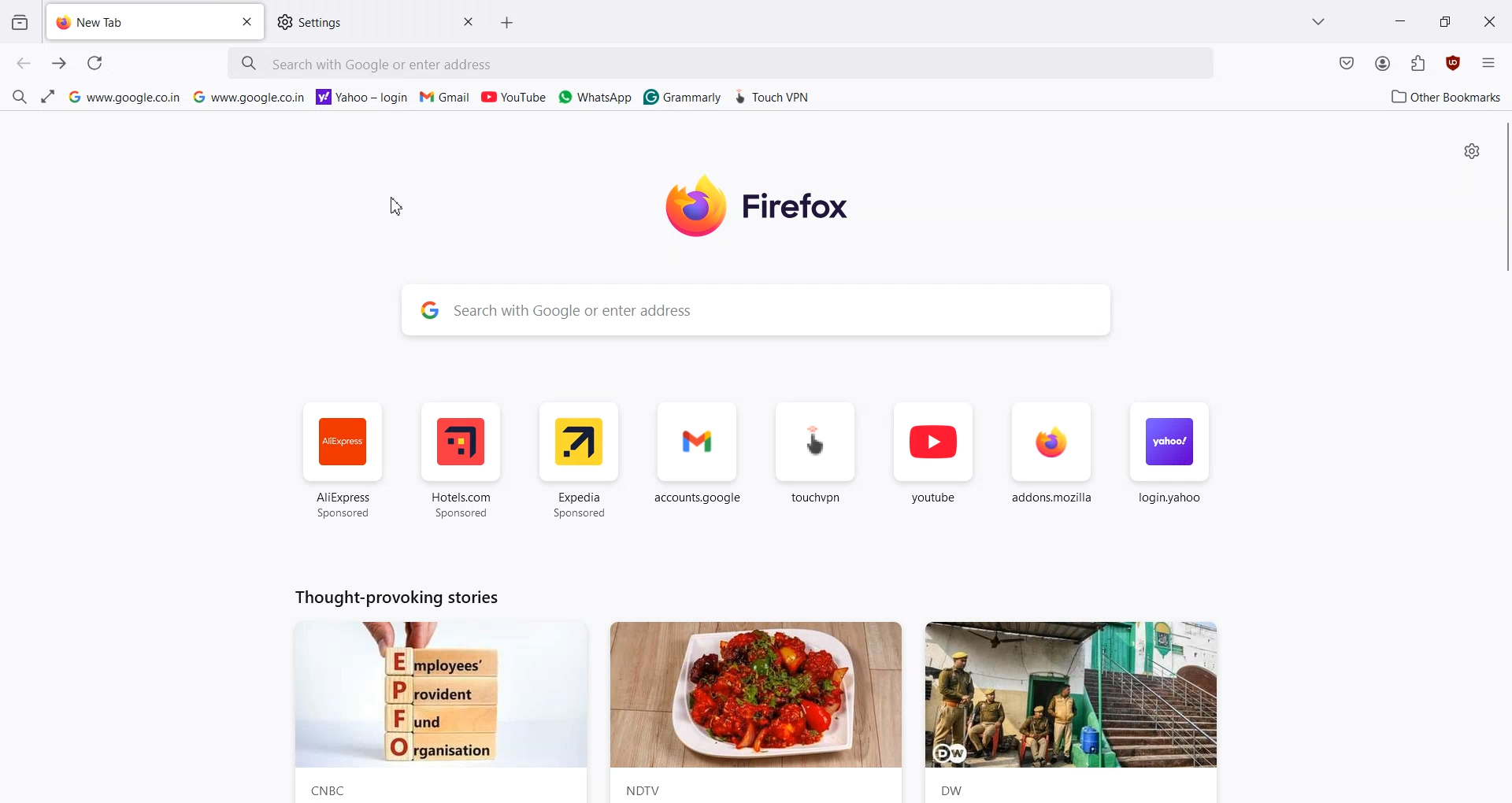 The width and height of the screenshot is (1512, 803). I want to click on Other Bookmarks, so click(1442, 95).